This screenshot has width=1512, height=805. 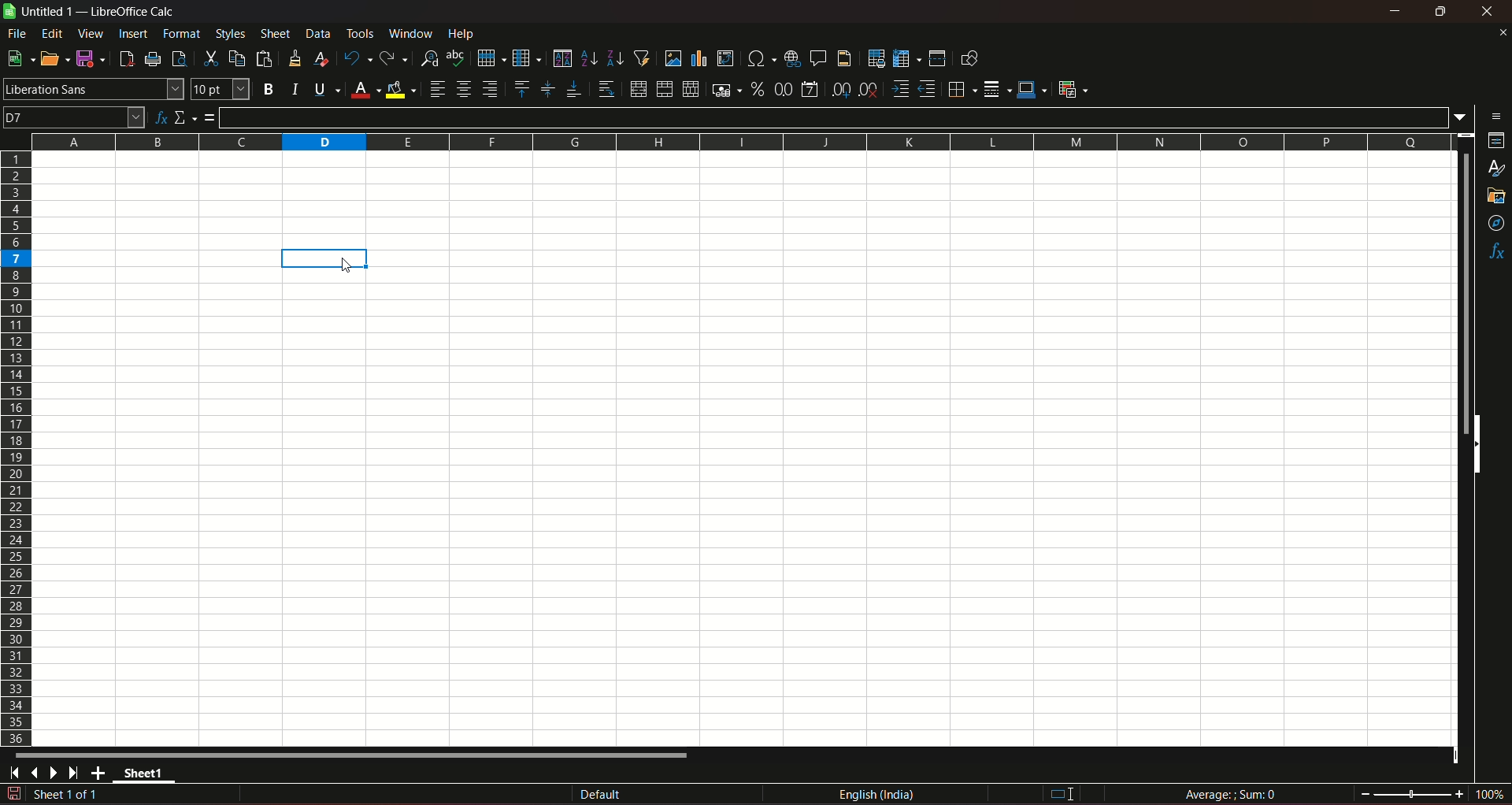 I want to click on scroll to previous, so click(x=36, y=774).